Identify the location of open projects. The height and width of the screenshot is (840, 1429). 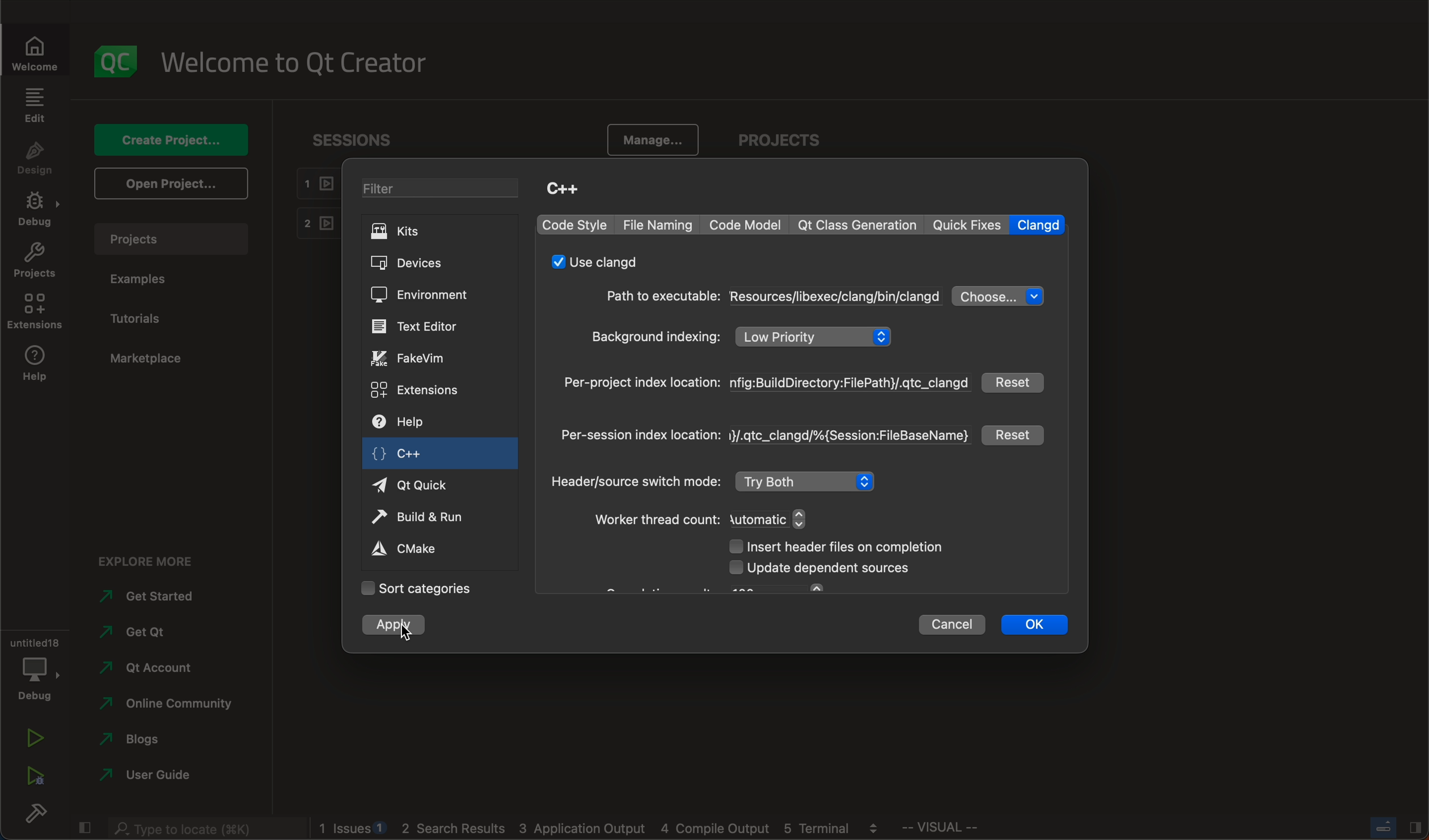
(175, 183).